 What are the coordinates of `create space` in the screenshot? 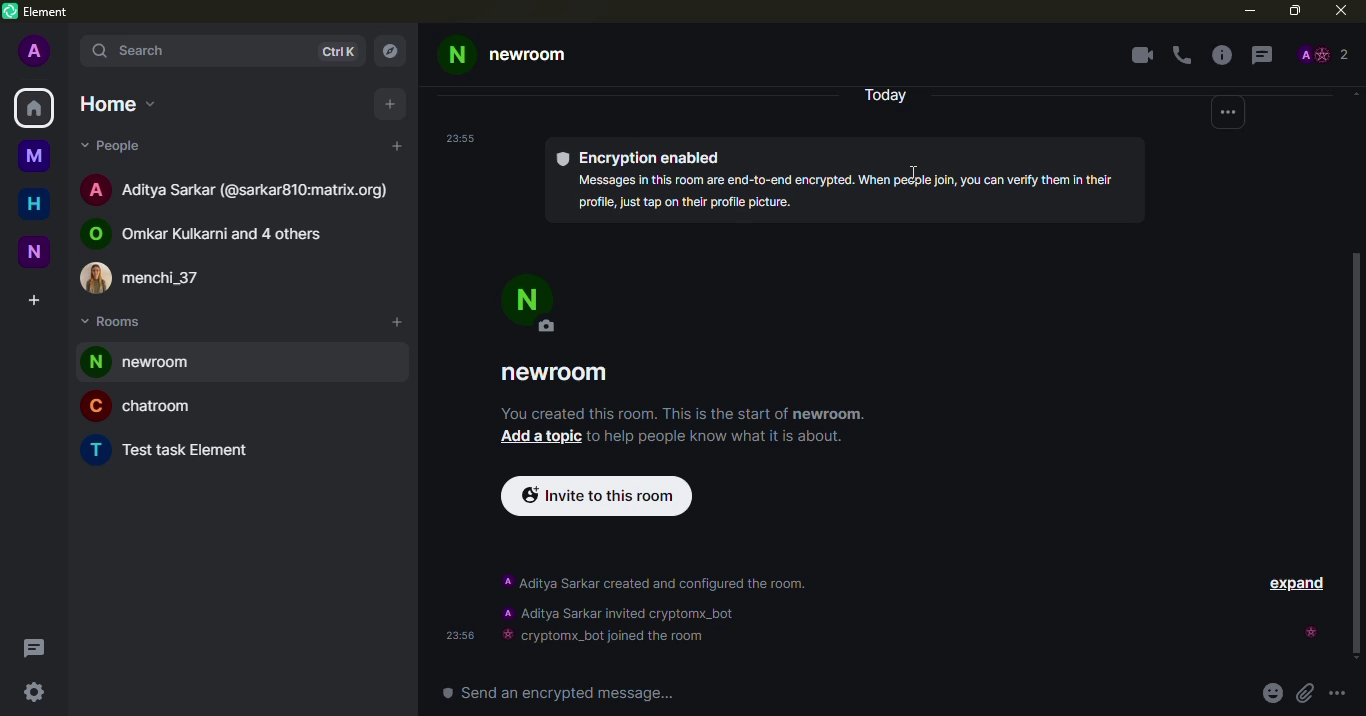 It's located at (37, 300).